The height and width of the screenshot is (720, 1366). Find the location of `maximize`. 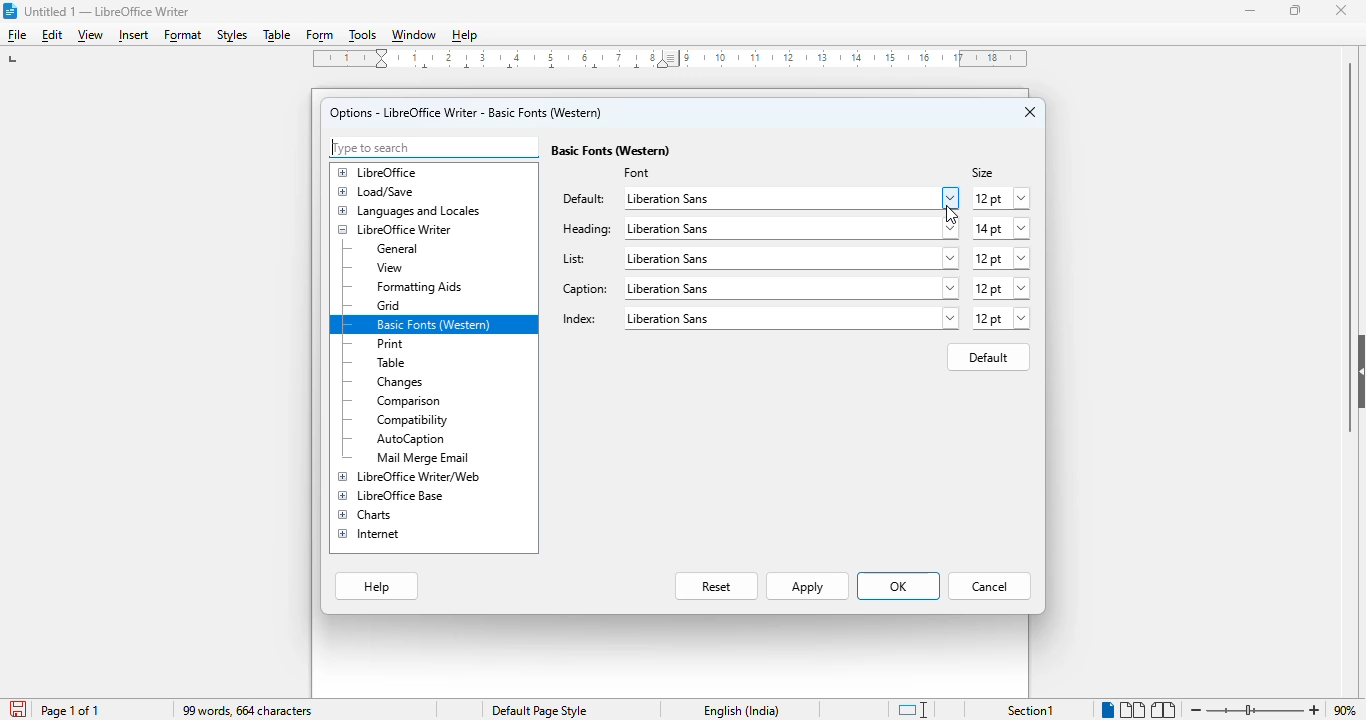

maximize is located at coordinates (1295, 10).